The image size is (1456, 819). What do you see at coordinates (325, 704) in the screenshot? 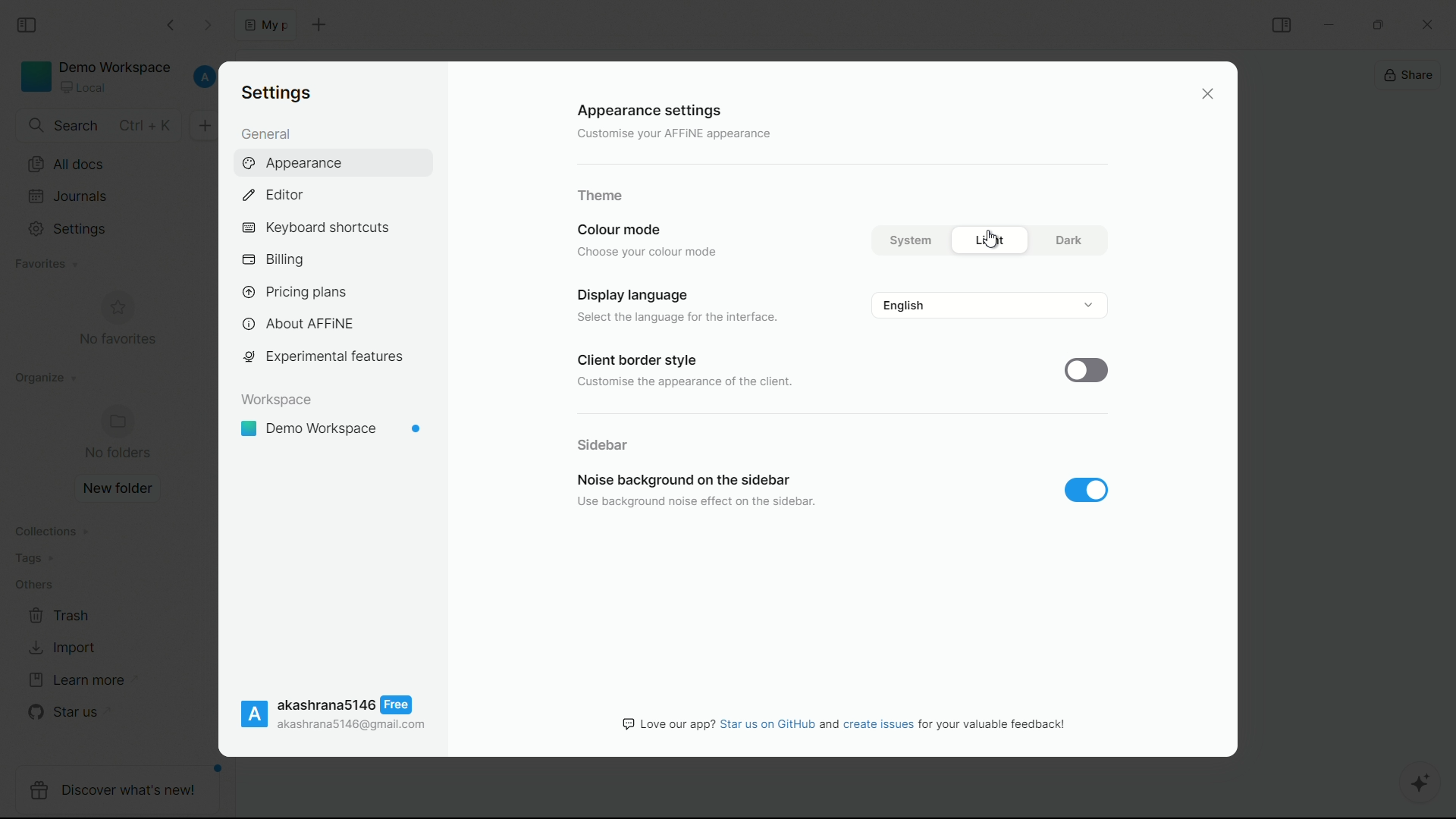
I see `akashrana5146 ` at bounding box center [325, 704].